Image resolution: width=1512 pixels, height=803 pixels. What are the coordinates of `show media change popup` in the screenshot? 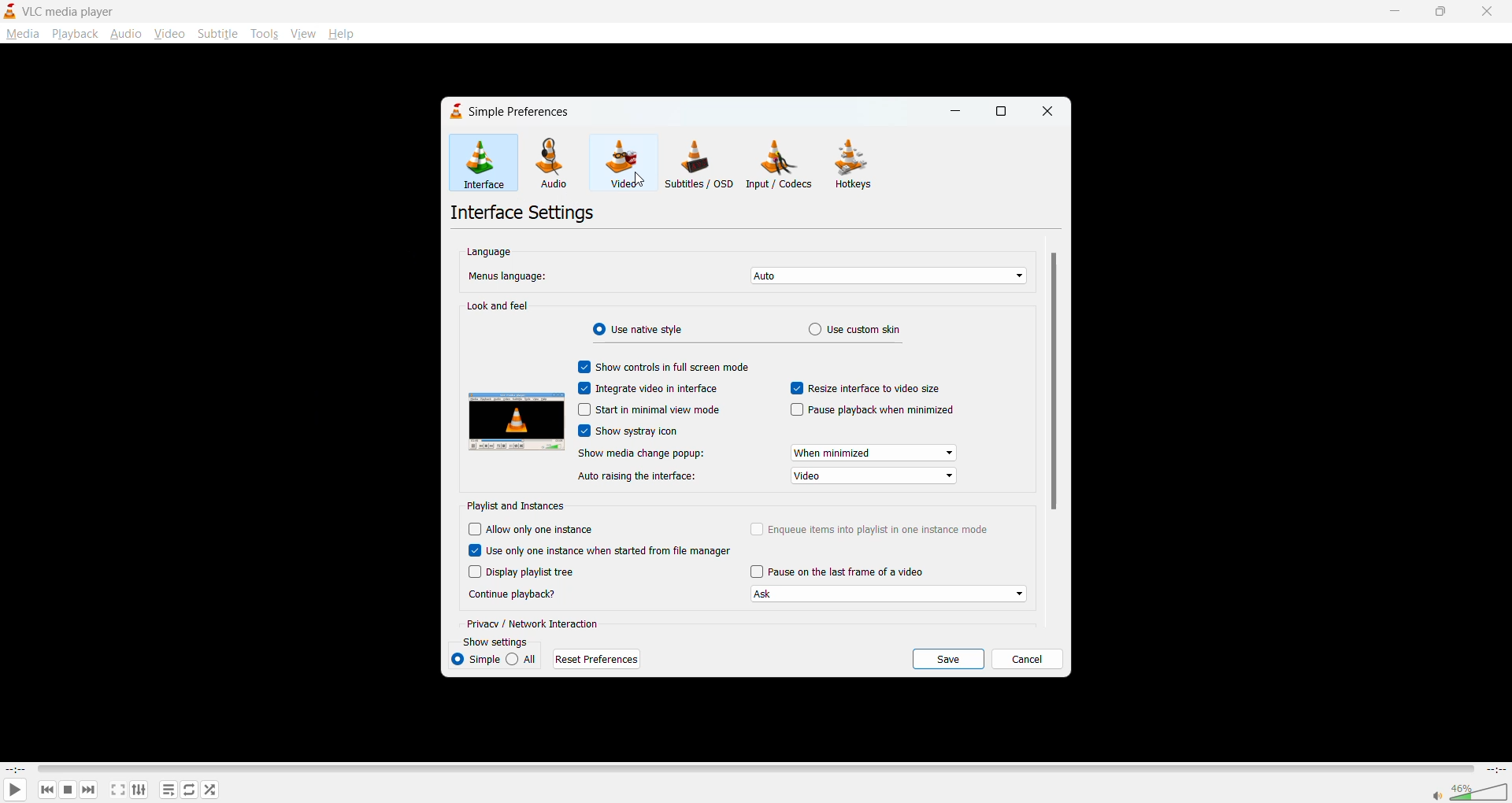 It's located at (766, 453).